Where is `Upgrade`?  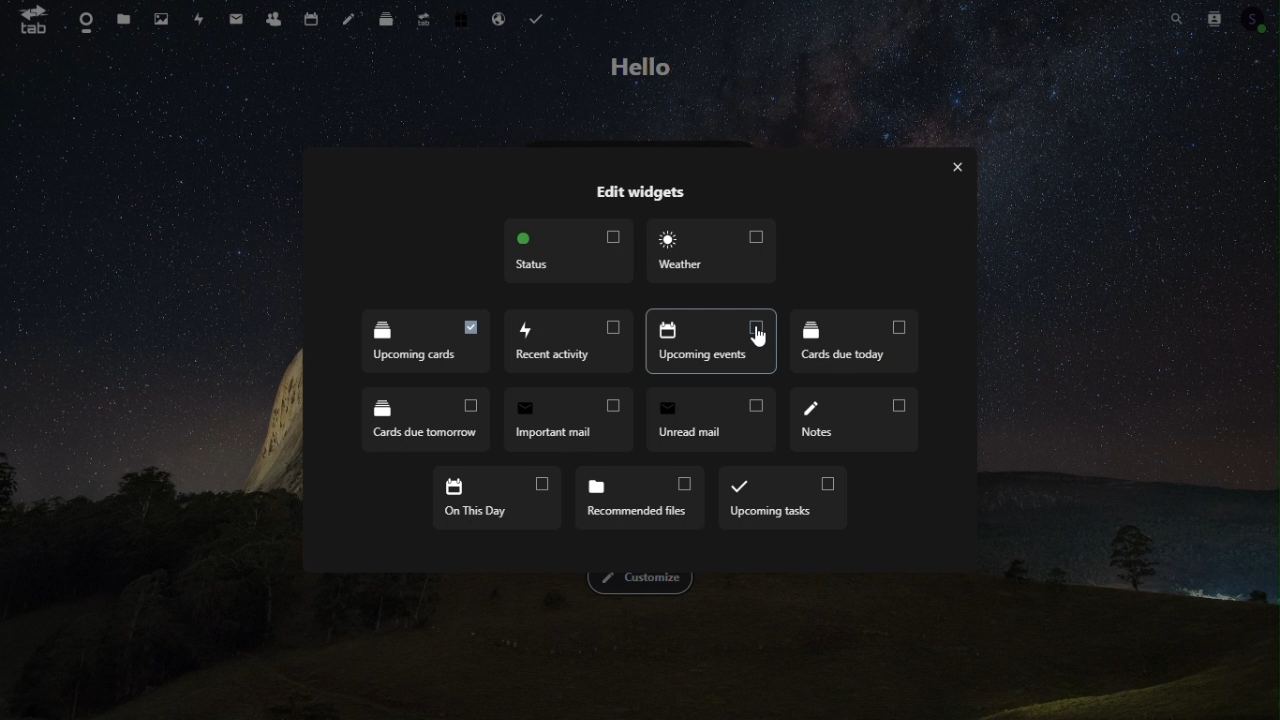 Upgrade is located at coordinates (425, 16).